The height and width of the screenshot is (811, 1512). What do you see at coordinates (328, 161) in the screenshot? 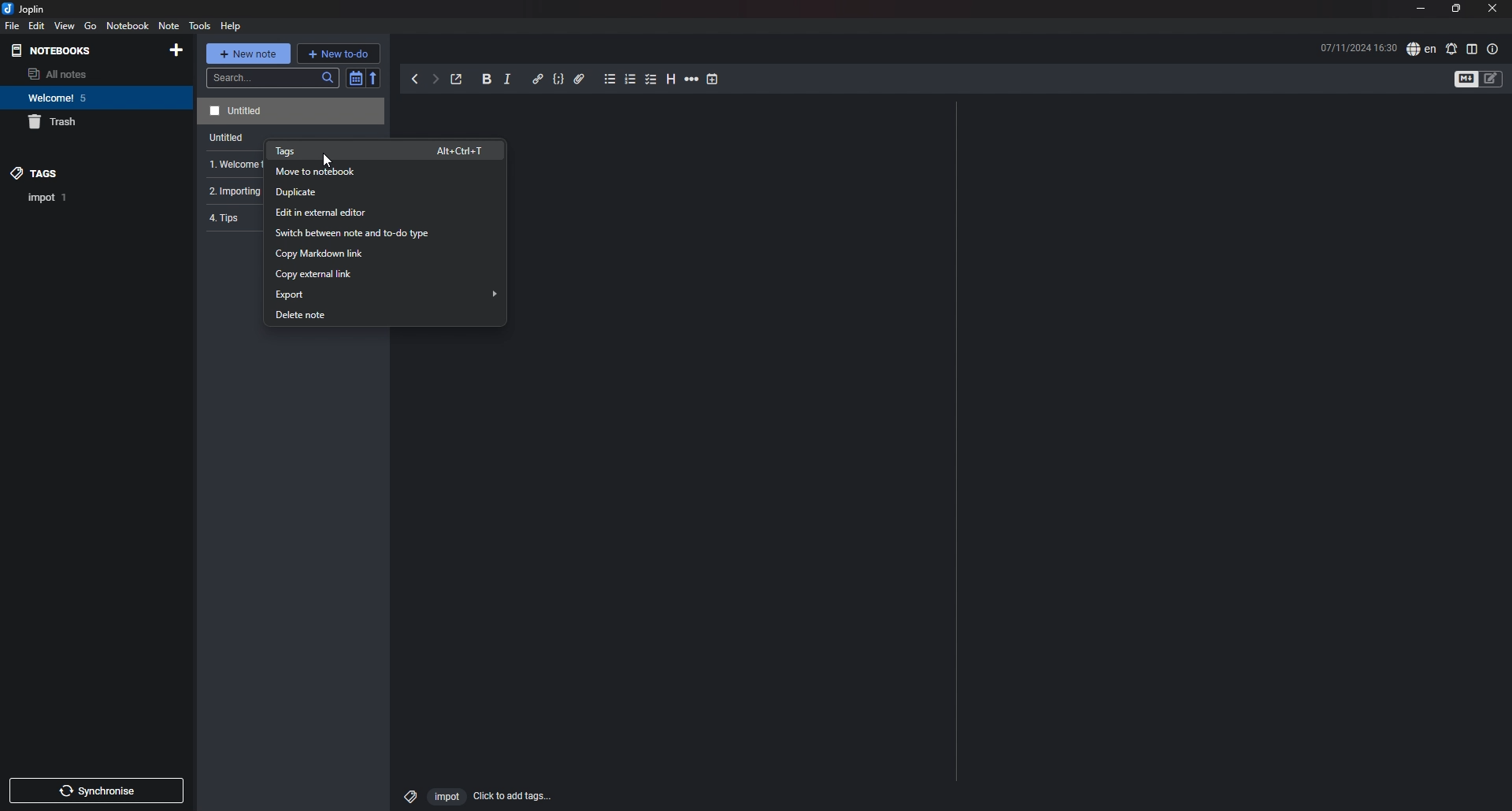
I see `Cursor` at bounding box center [328, 161].